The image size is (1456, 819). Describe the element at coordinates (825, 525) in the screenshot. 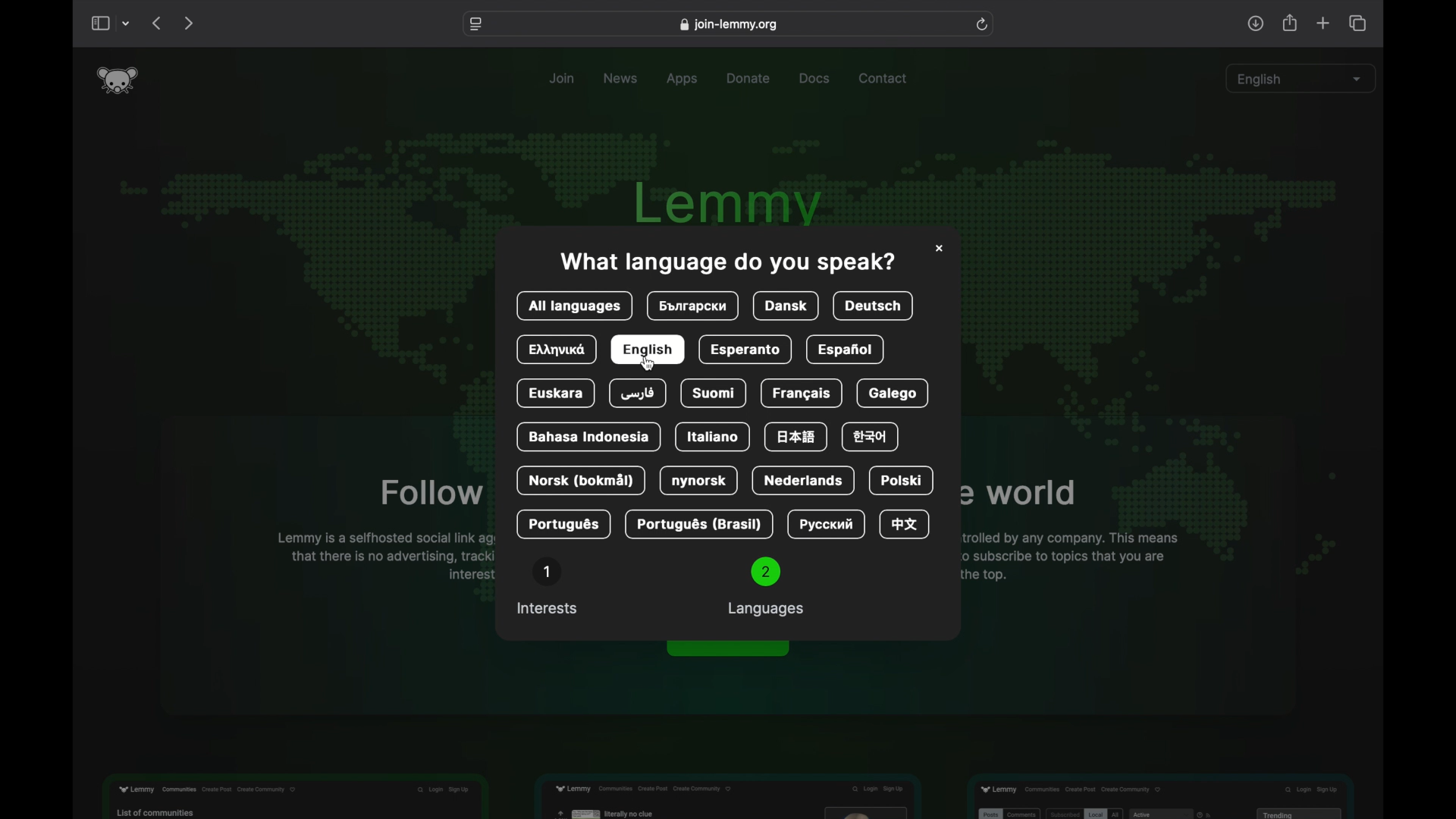

I see `language` at that location.